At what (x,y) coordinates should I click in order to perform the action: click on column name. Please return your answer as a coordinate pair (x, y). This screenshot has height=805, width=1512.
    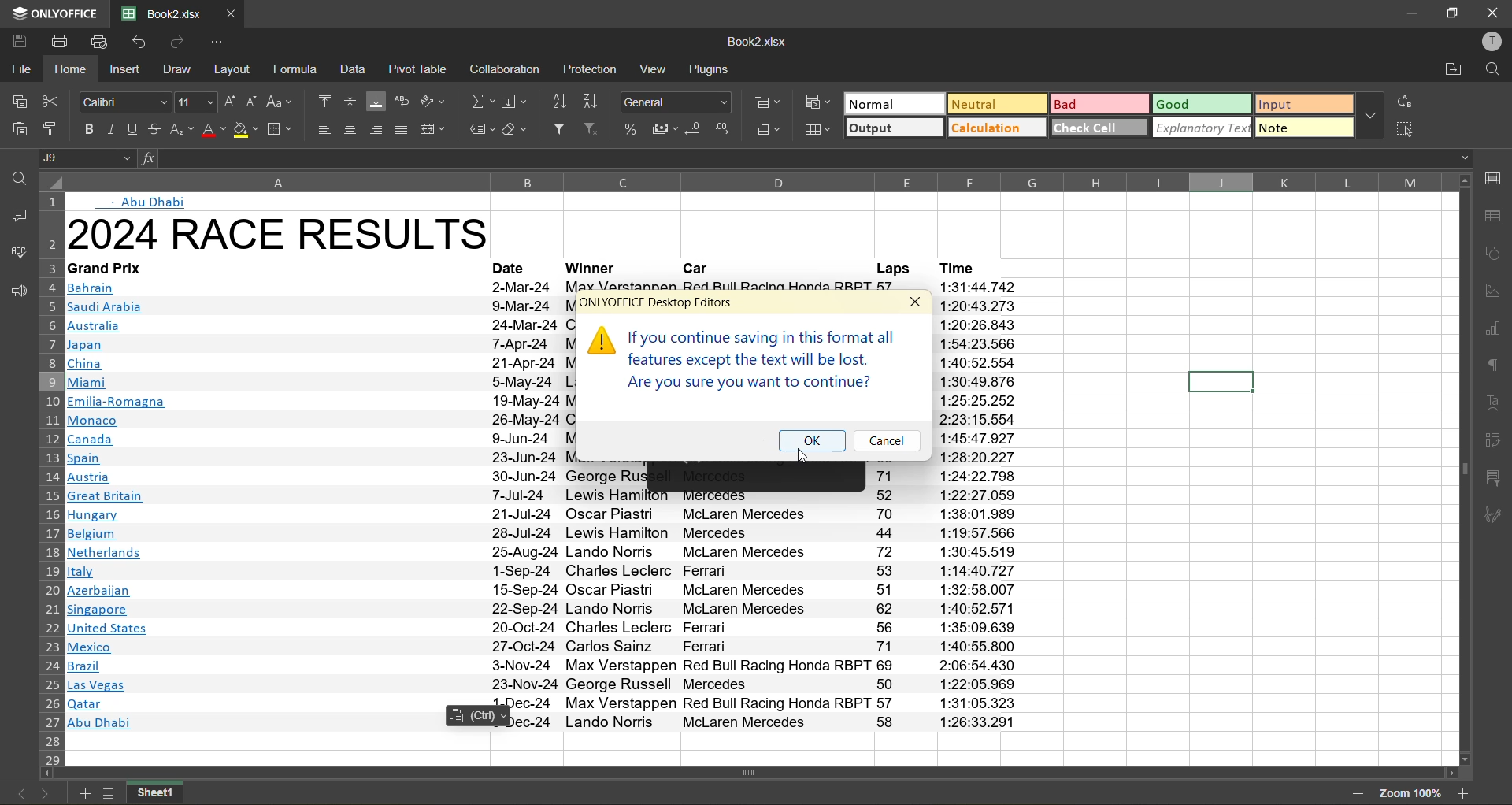
    Looking at the image, I should click on (748, 181).